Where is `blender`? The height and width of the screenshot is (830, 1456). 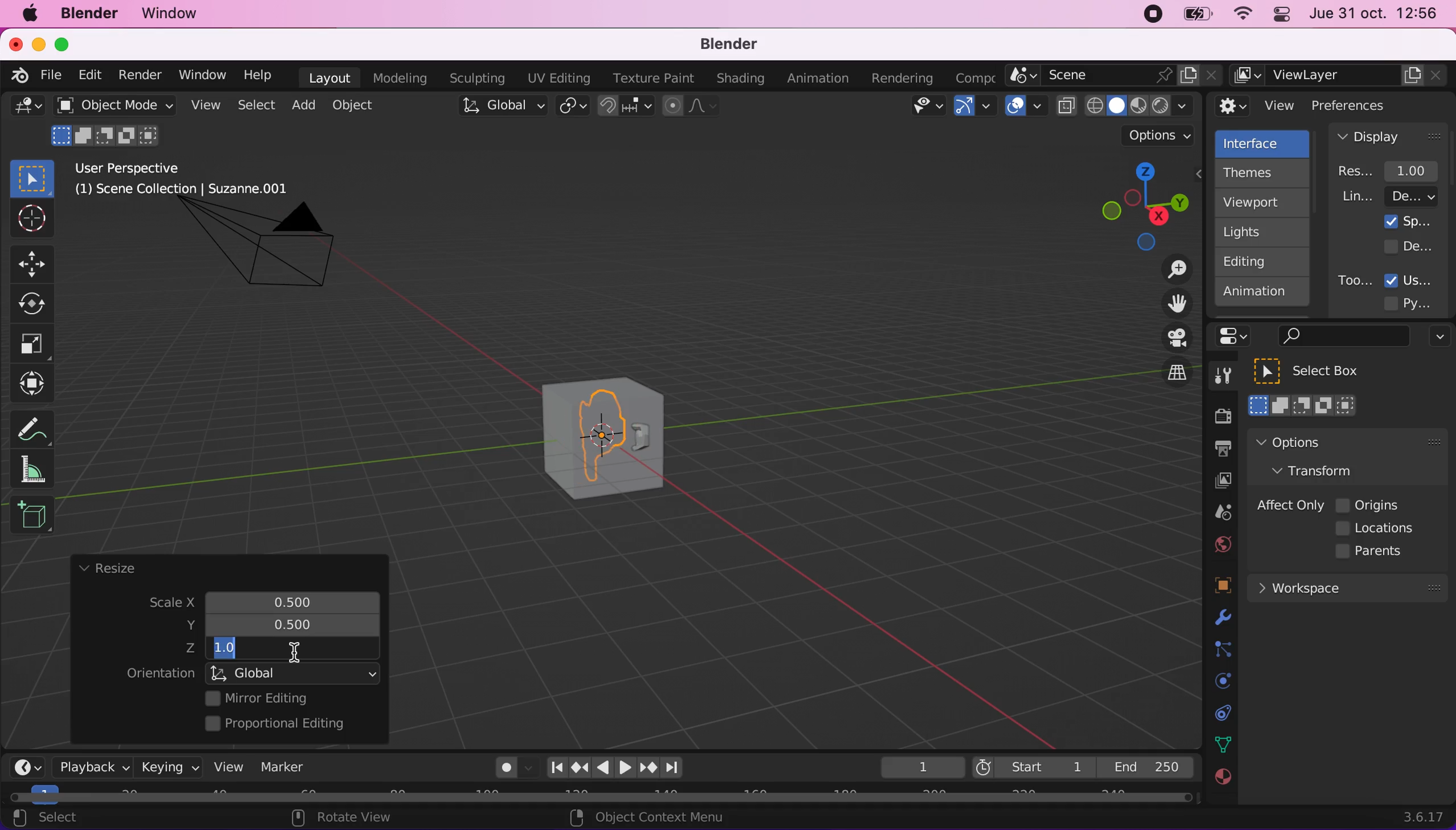
blender is located at coordinates (15, 74).